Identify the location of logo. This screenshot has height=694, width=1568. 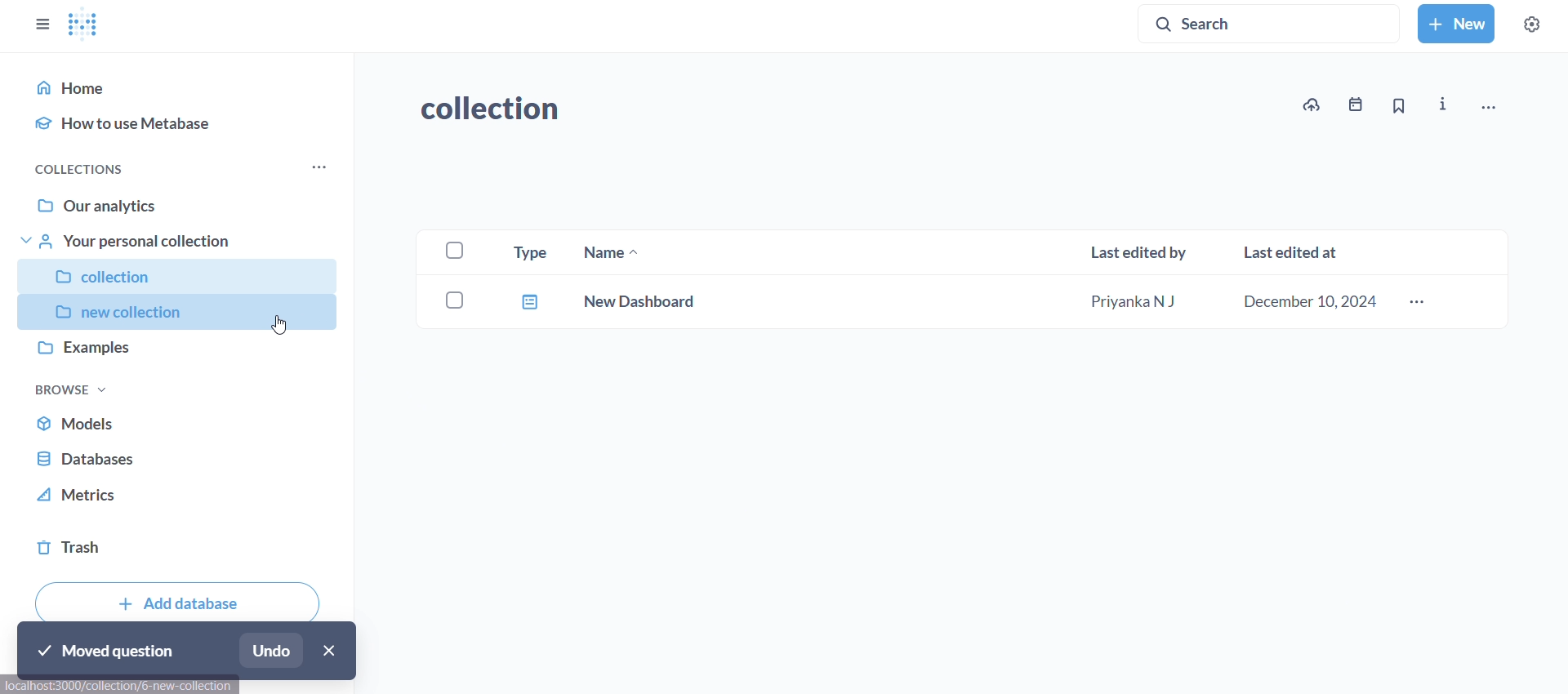
(86, 25).